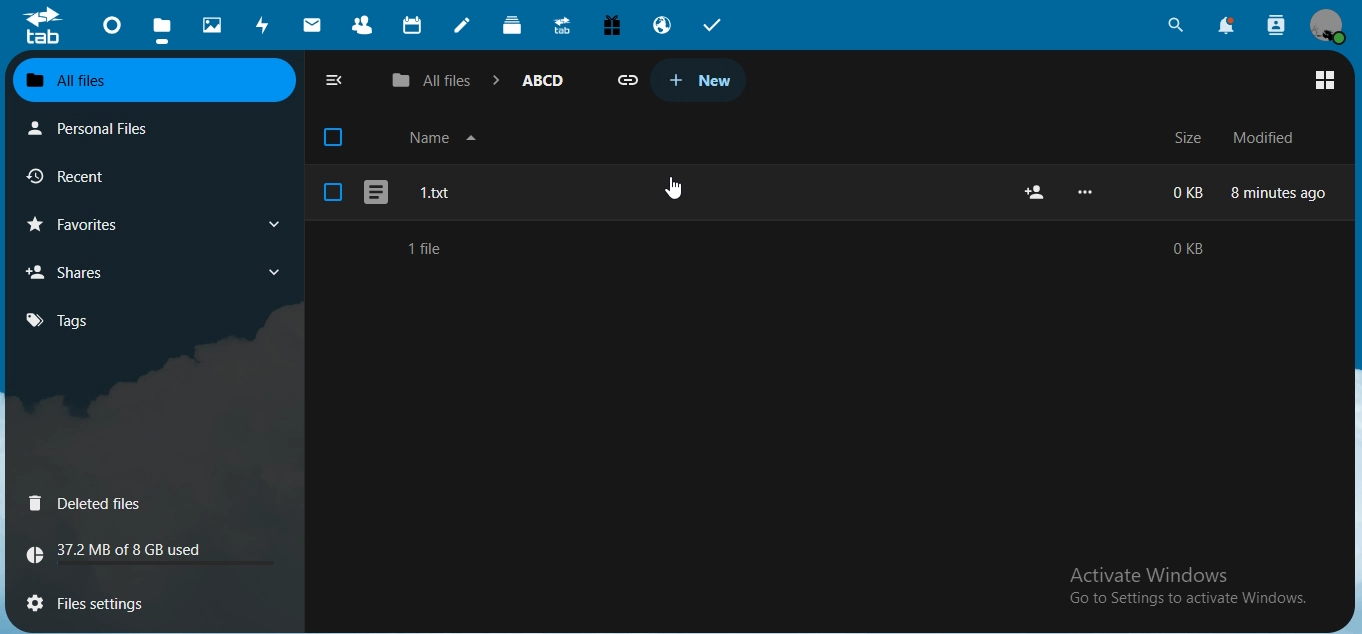 Image resolution: width=1362 pixels, height=634 pixels. Describe the element at coordinates (312, 24) in the screenshot. I see `mail` at that location.